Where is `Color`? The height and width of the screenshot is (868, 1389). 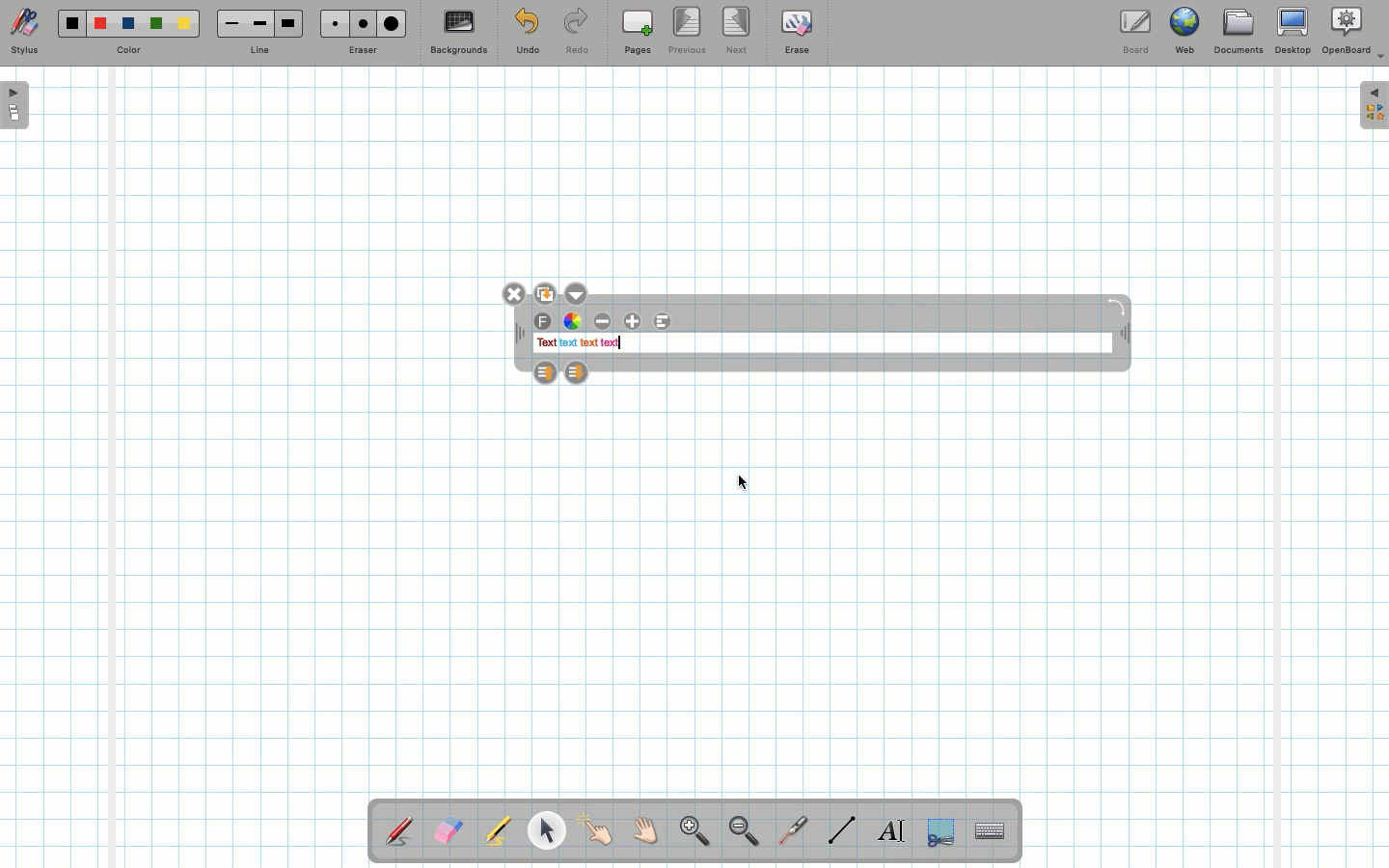
Color is located at coordinates (126, 51).